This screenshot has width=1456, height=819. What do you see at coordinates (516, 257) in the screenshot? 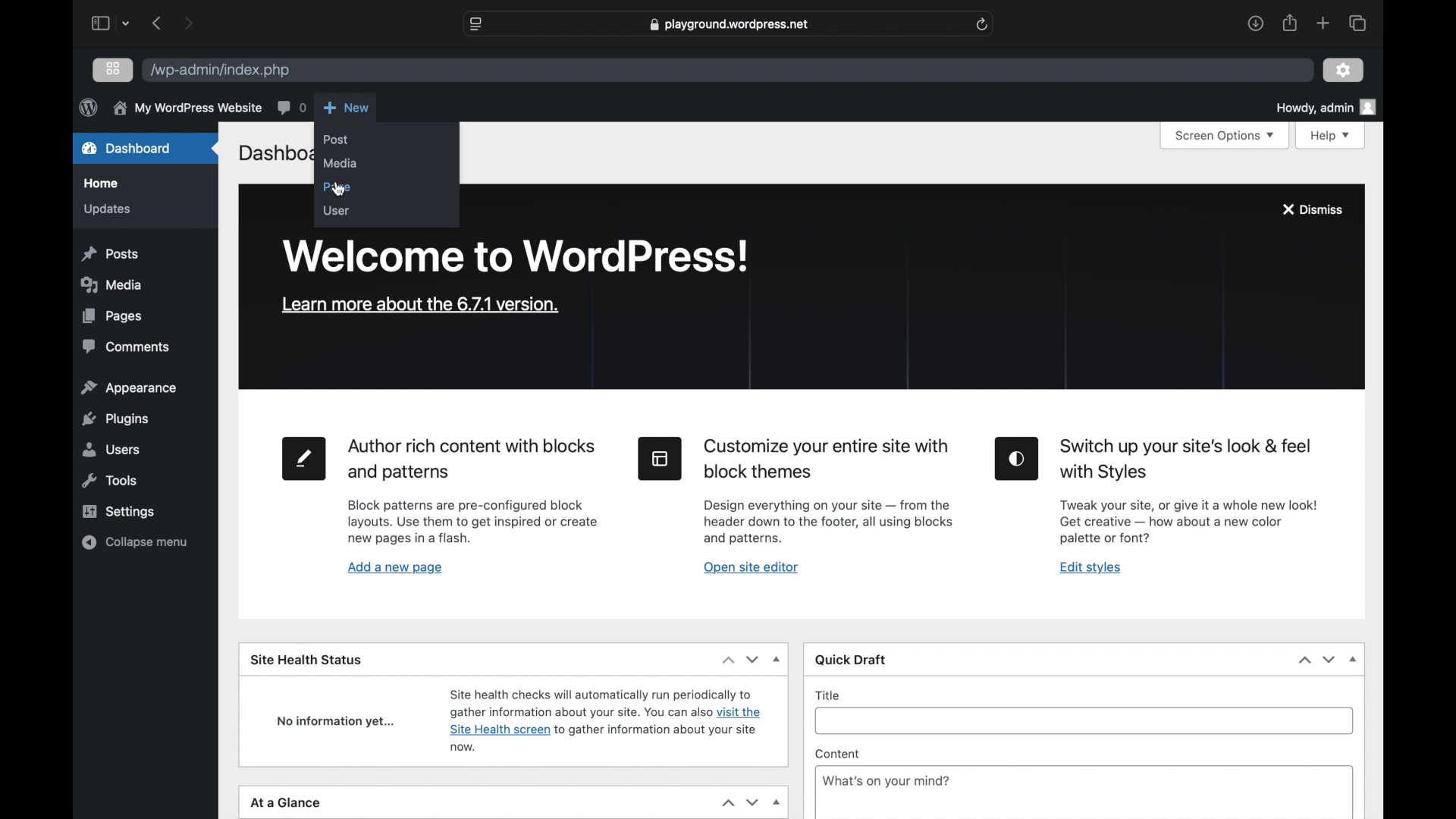
I see `welcome to wordpress` at bounding box center [516, 257].